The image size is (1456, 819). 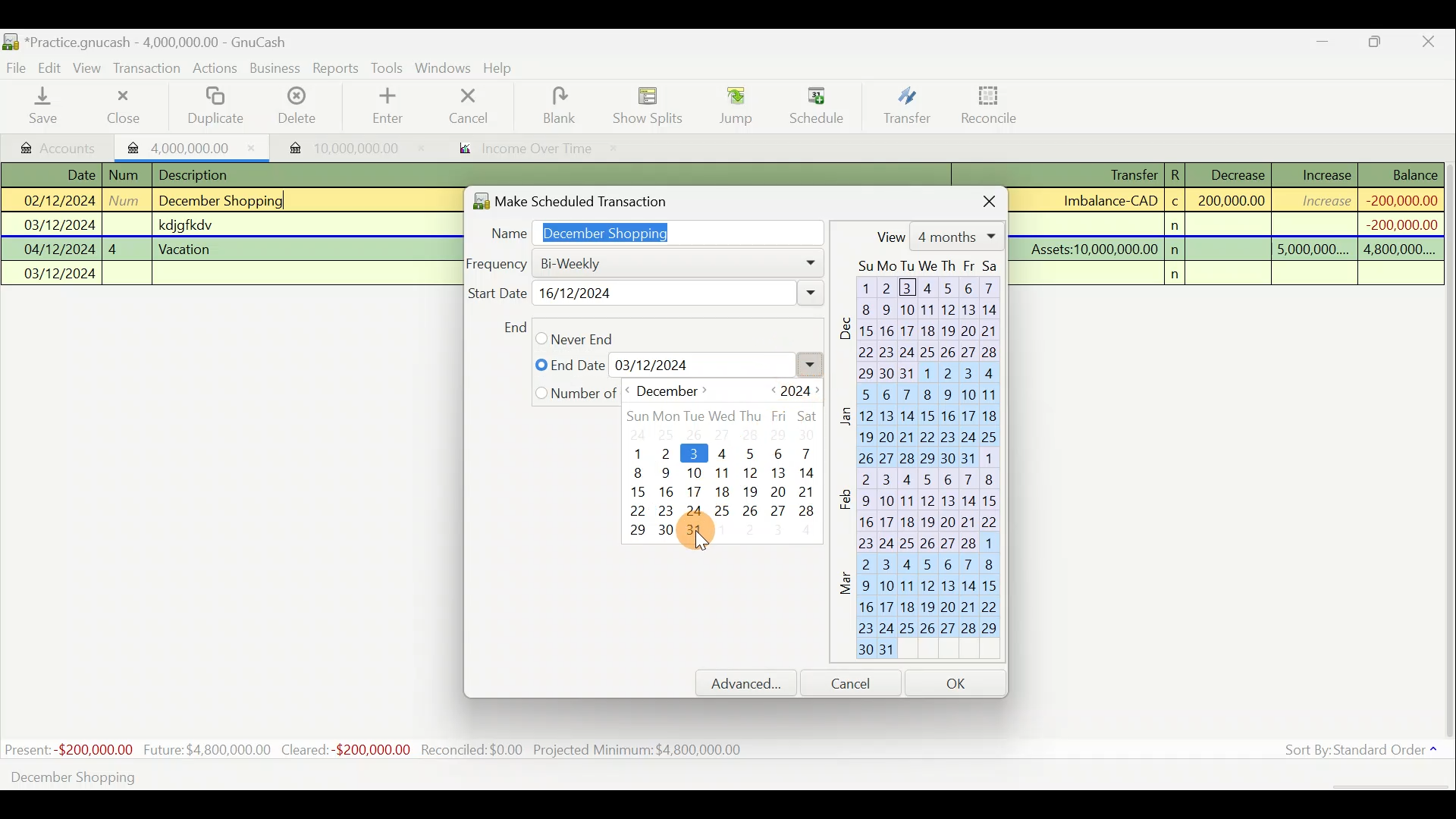 What do you see at coordinates (295, 111) in the screenshot?
I see `Delete` at bounding box center [295, 111].